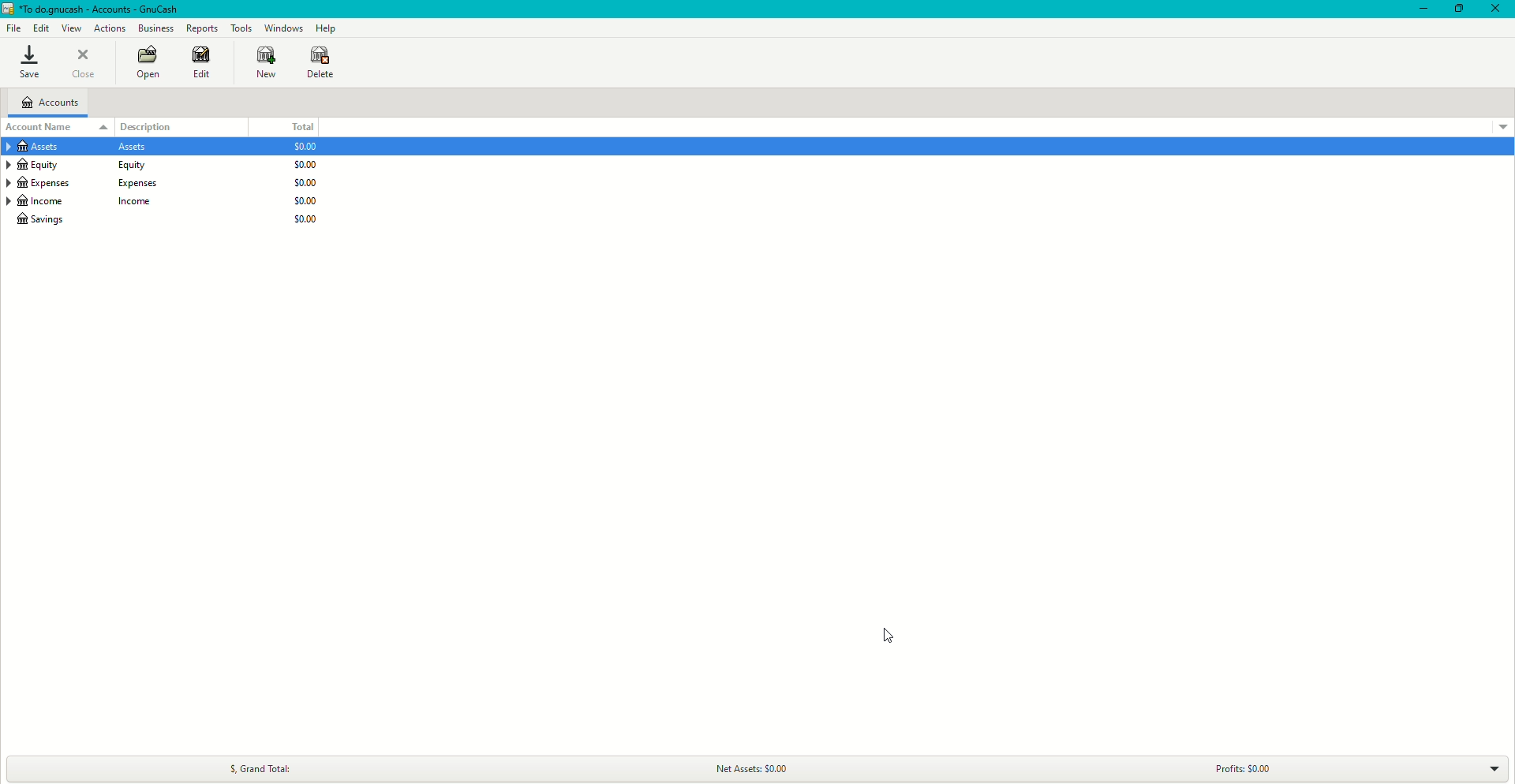 The width and height of the screenshot is (1515, 784). What do you see at coordinates (46, 221) in the screenshot?
I see `Savings Account` at bounding box center [46, 221].